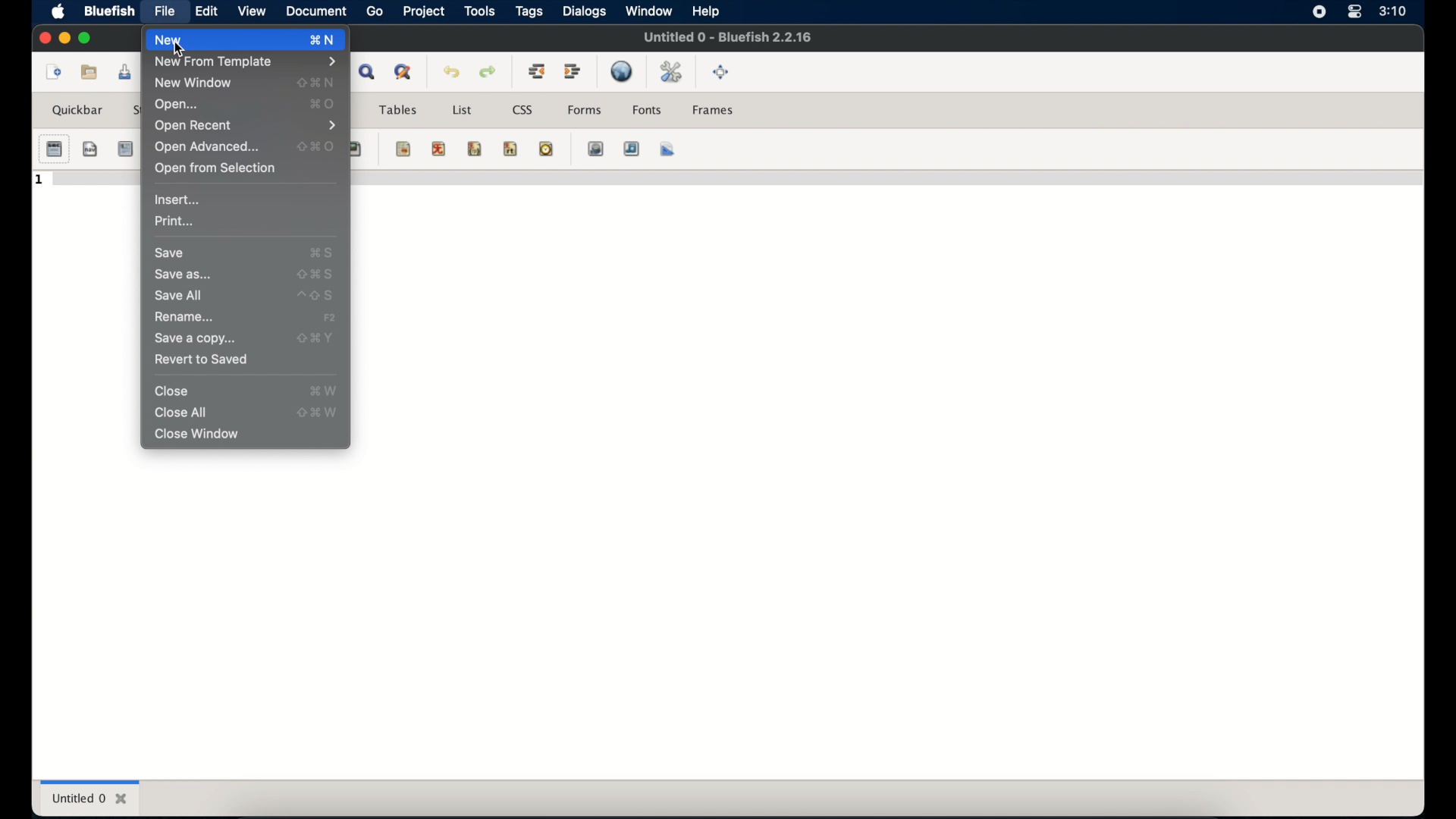  Describe the element at coordinates (322, 104) in the screenshot. I see `open shortcut` at that location.